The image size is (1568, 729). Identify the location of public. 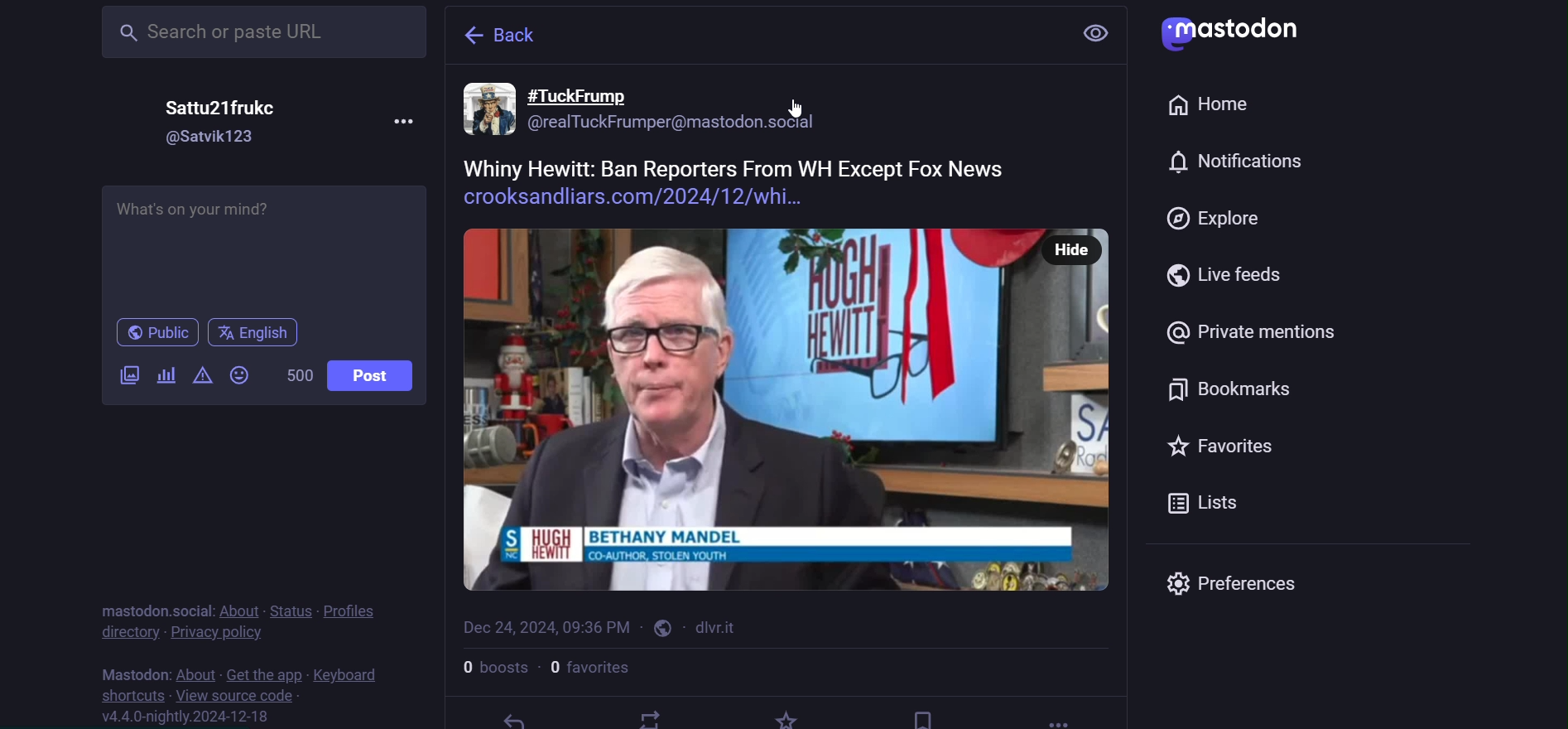
(156, 332).